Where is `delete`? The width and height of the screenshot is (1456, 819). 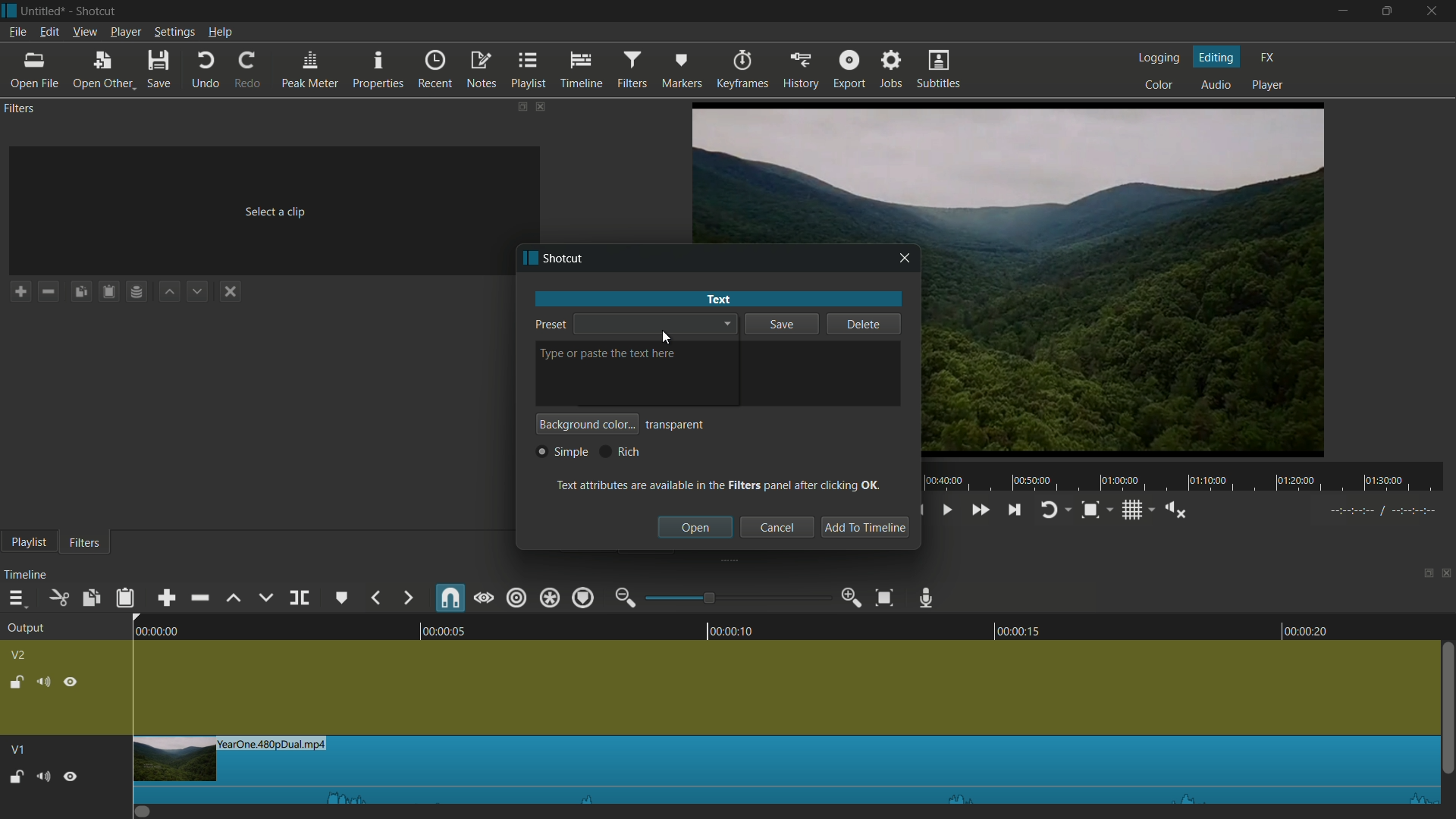
delete is located at coordinates (864, 324).